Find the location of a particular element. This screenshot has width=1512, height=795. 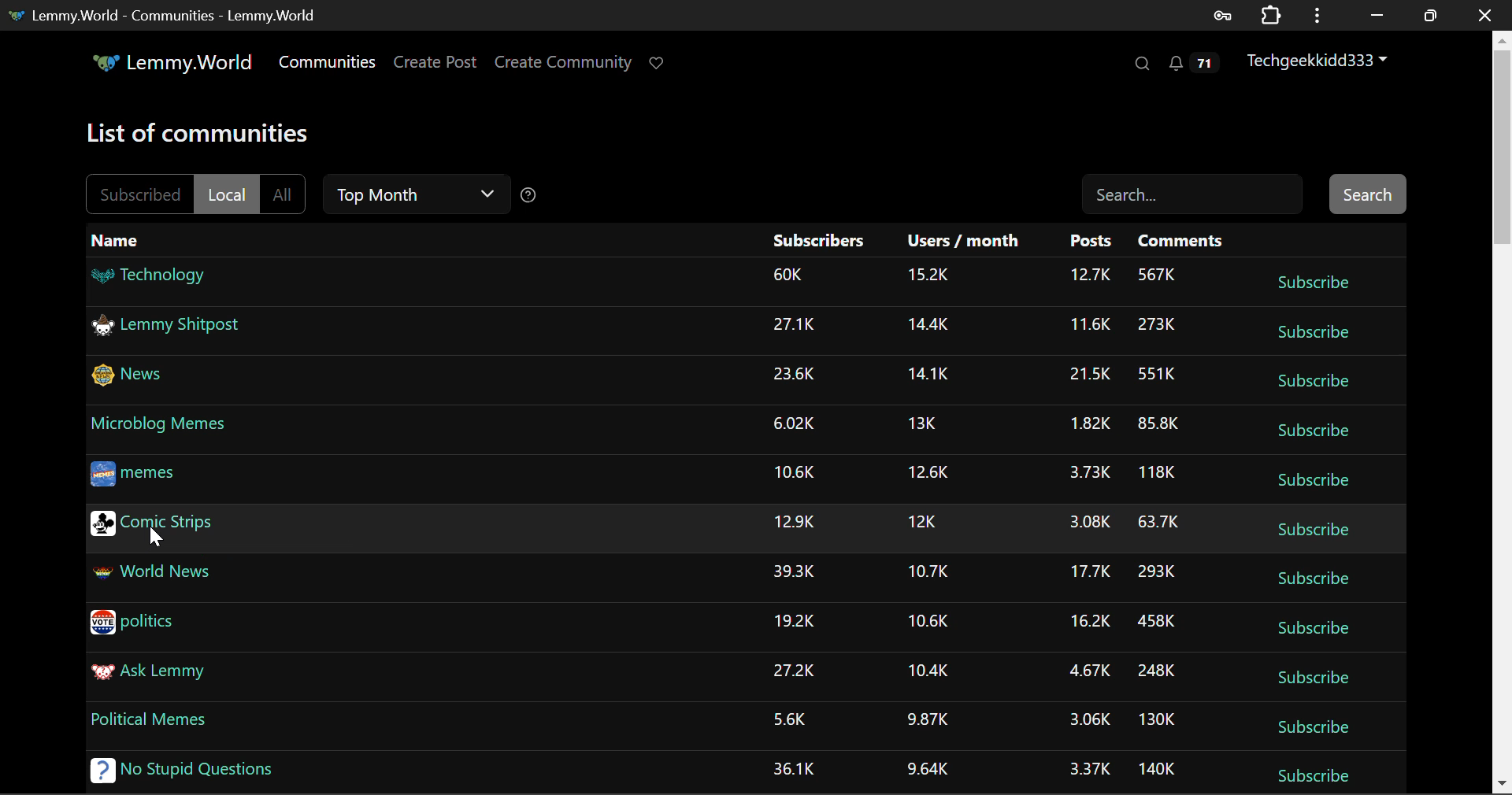

118K is located at coordinates (1156, 472).